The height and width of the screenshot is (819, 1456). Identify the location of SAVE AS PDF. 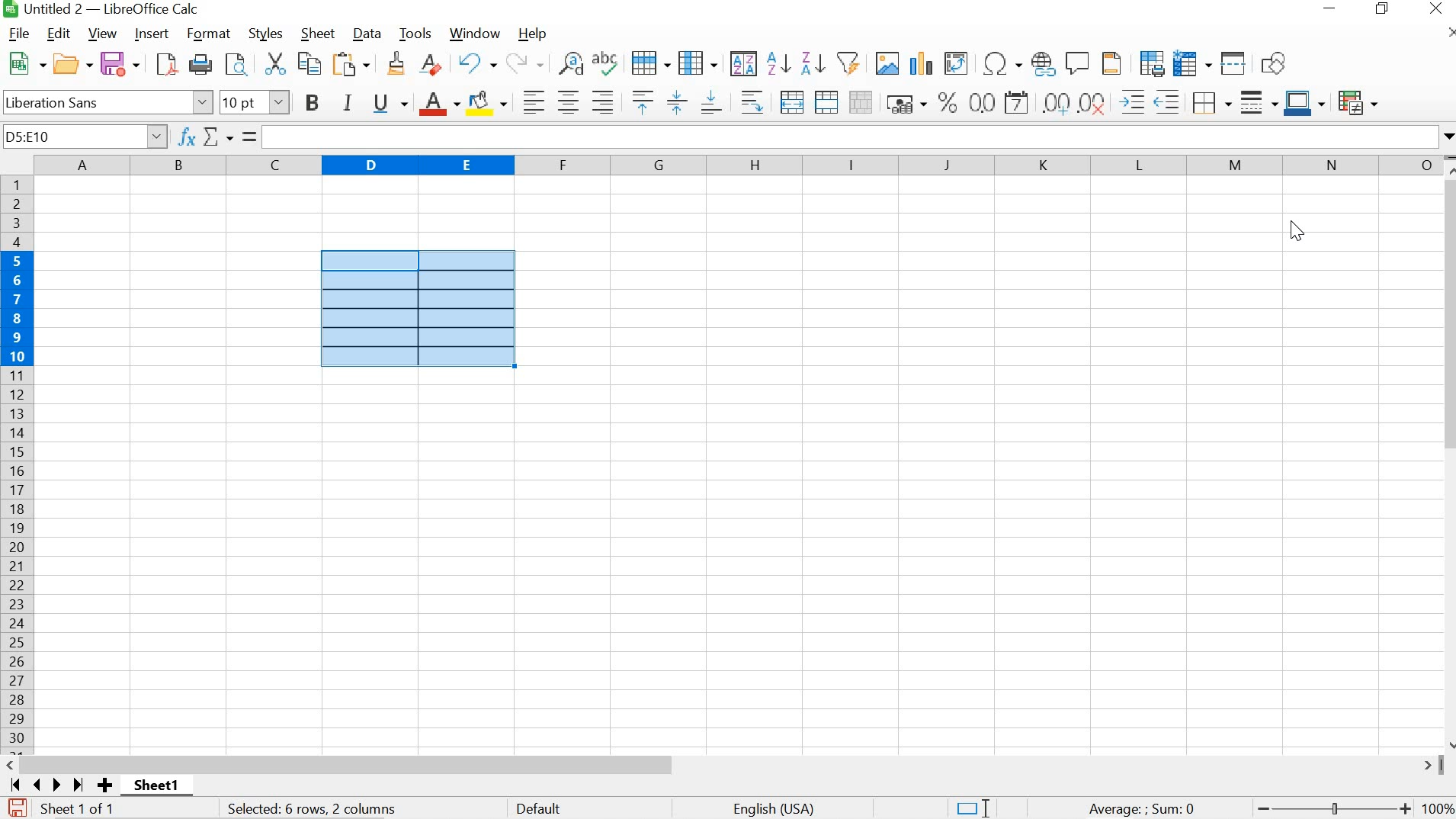
(168, 63).